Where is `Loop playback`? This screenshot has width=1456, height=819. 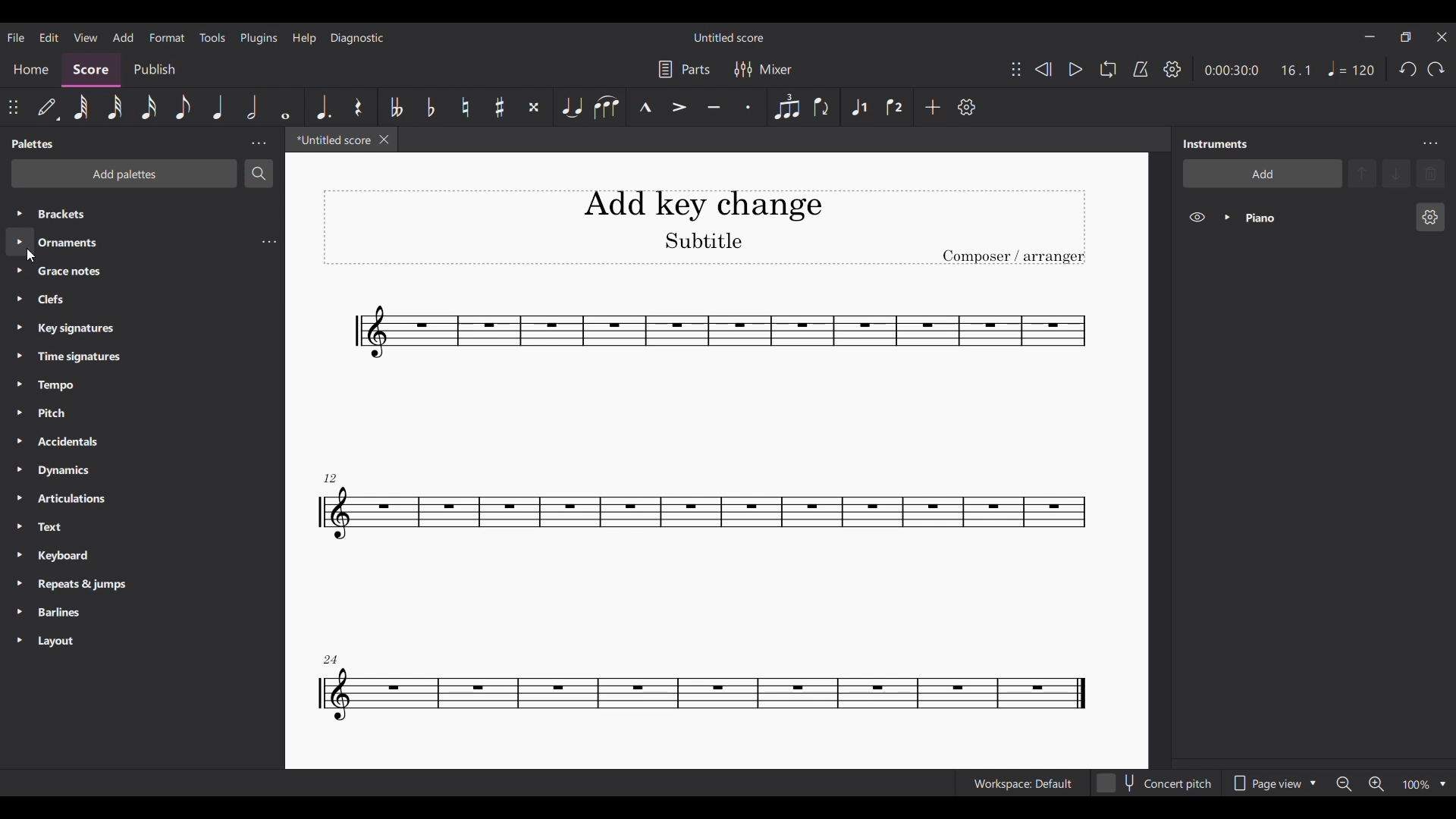
Loop playback is located at coordinates (1108, 69).